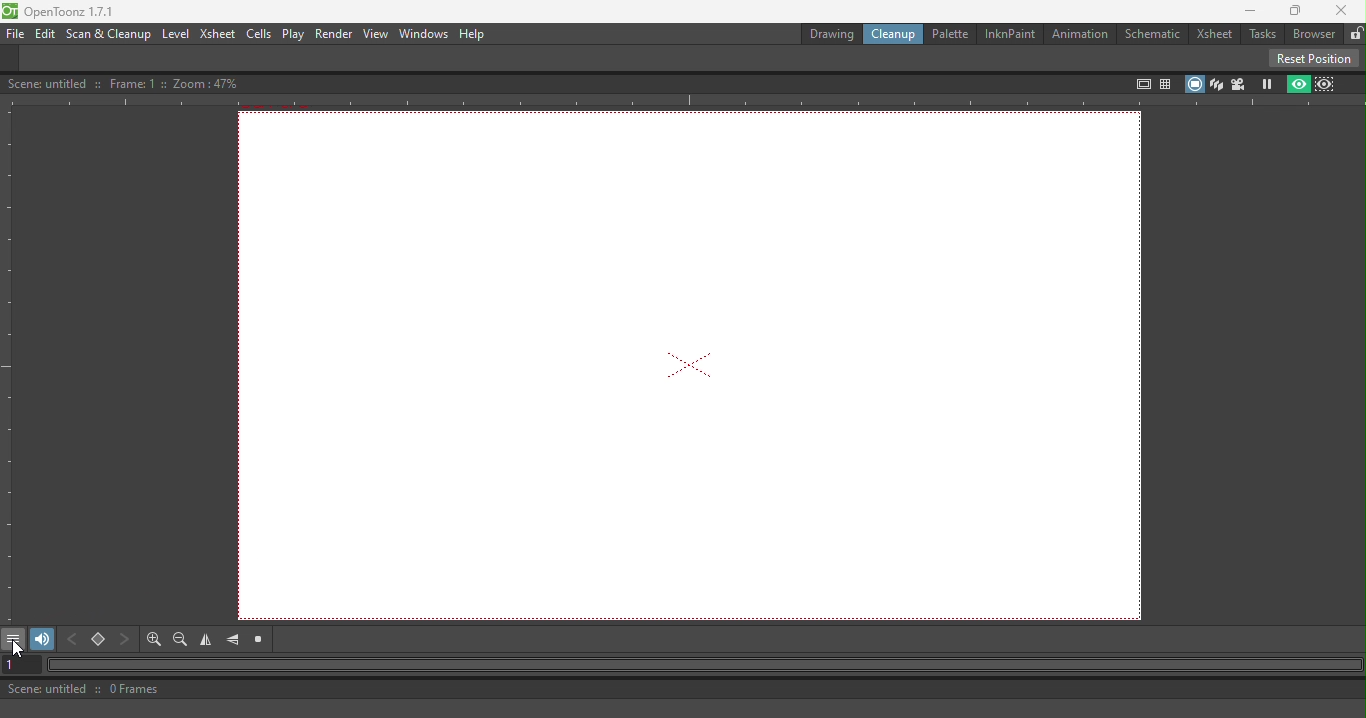 This screenshot has height=718, width=1366. I want to click on Animation, so click(1082, 35).